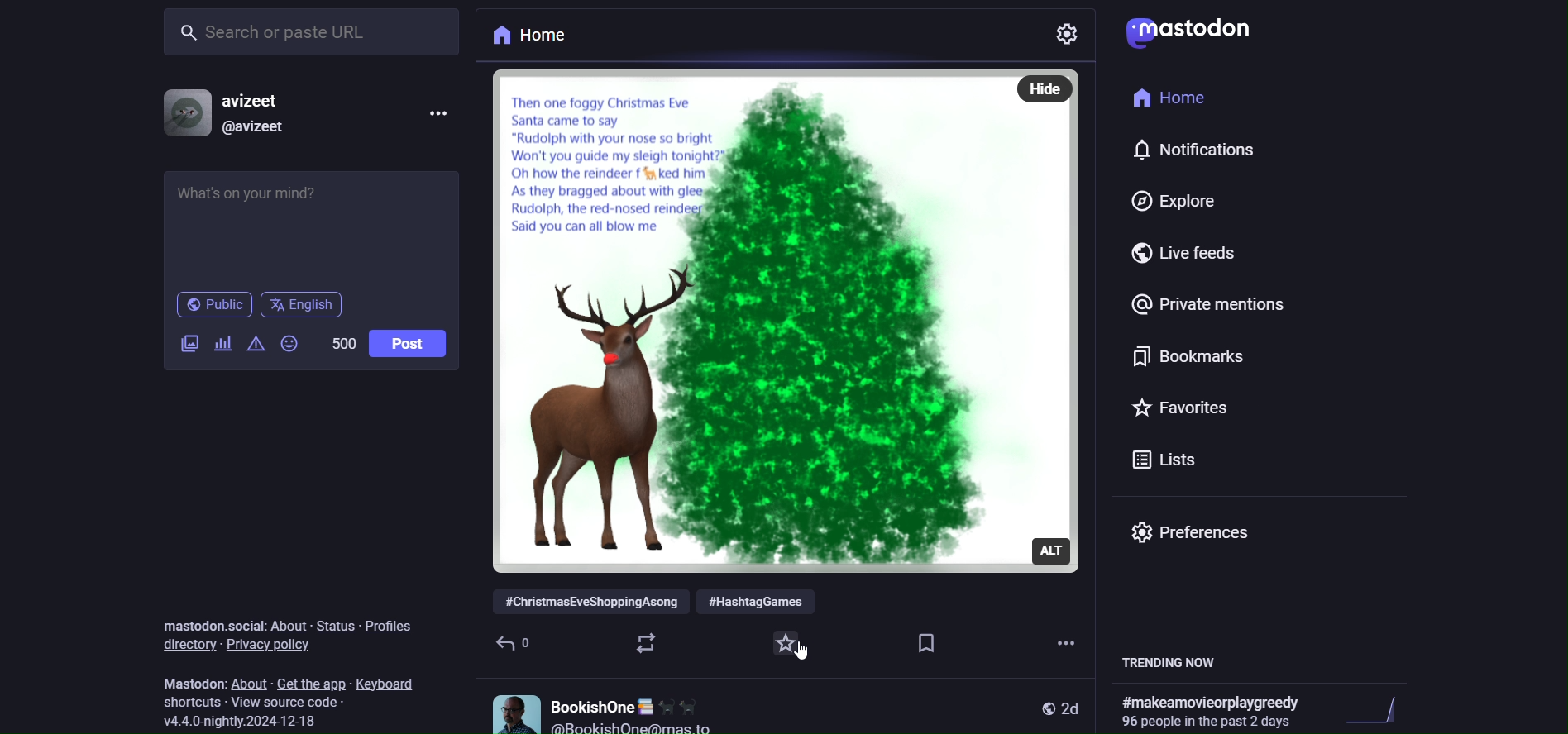  Describe the element at coordinates (271, 651) in the screenshot. I see `privacy policy` at that location.